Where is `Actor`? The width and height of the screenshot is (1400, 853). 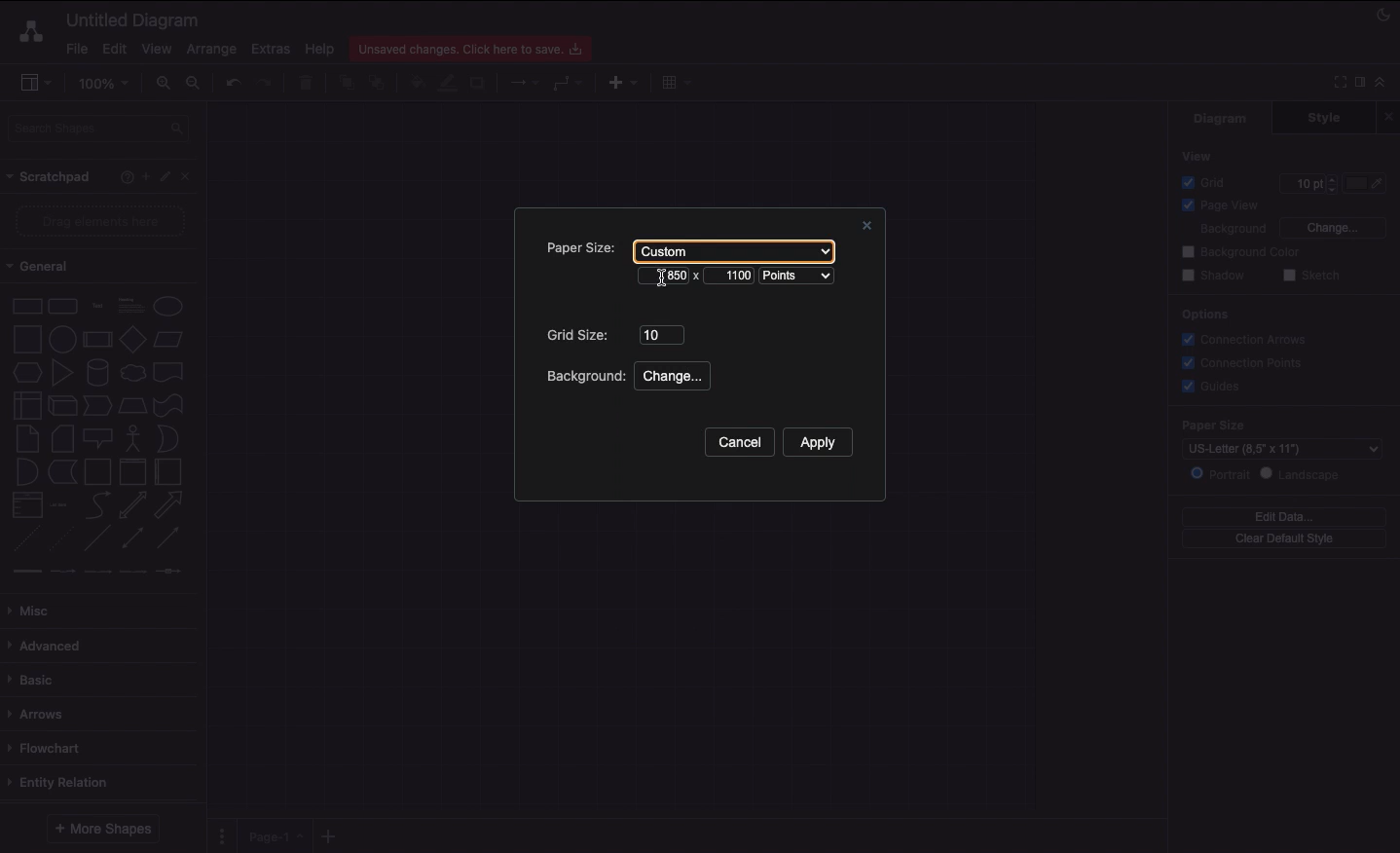
Actor is located at coordinates (133, 436).